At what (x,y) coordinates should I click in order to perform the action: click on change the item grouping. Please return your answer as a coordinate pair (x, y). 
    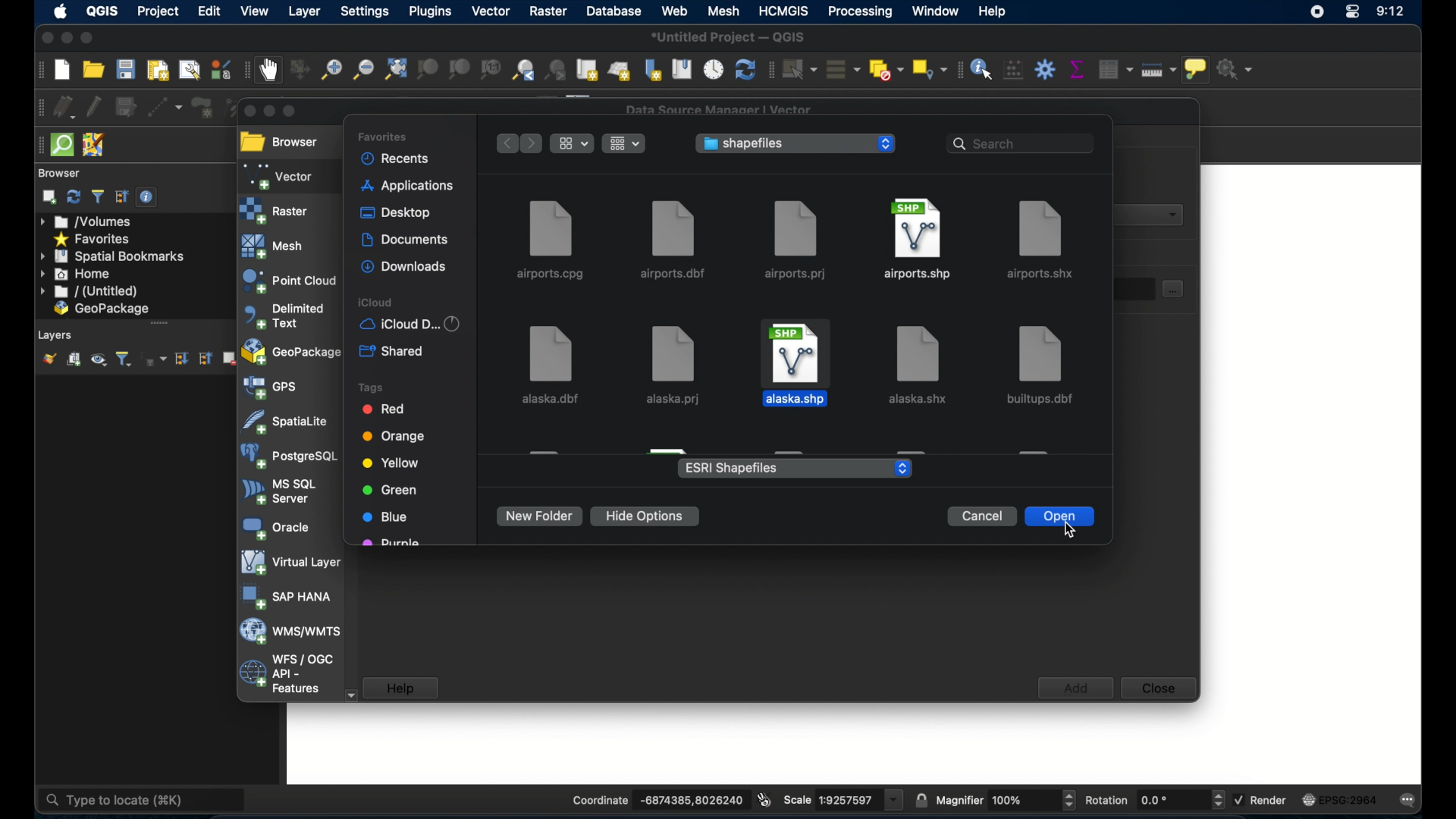
    Looking at the image, I should click on (624, 143).